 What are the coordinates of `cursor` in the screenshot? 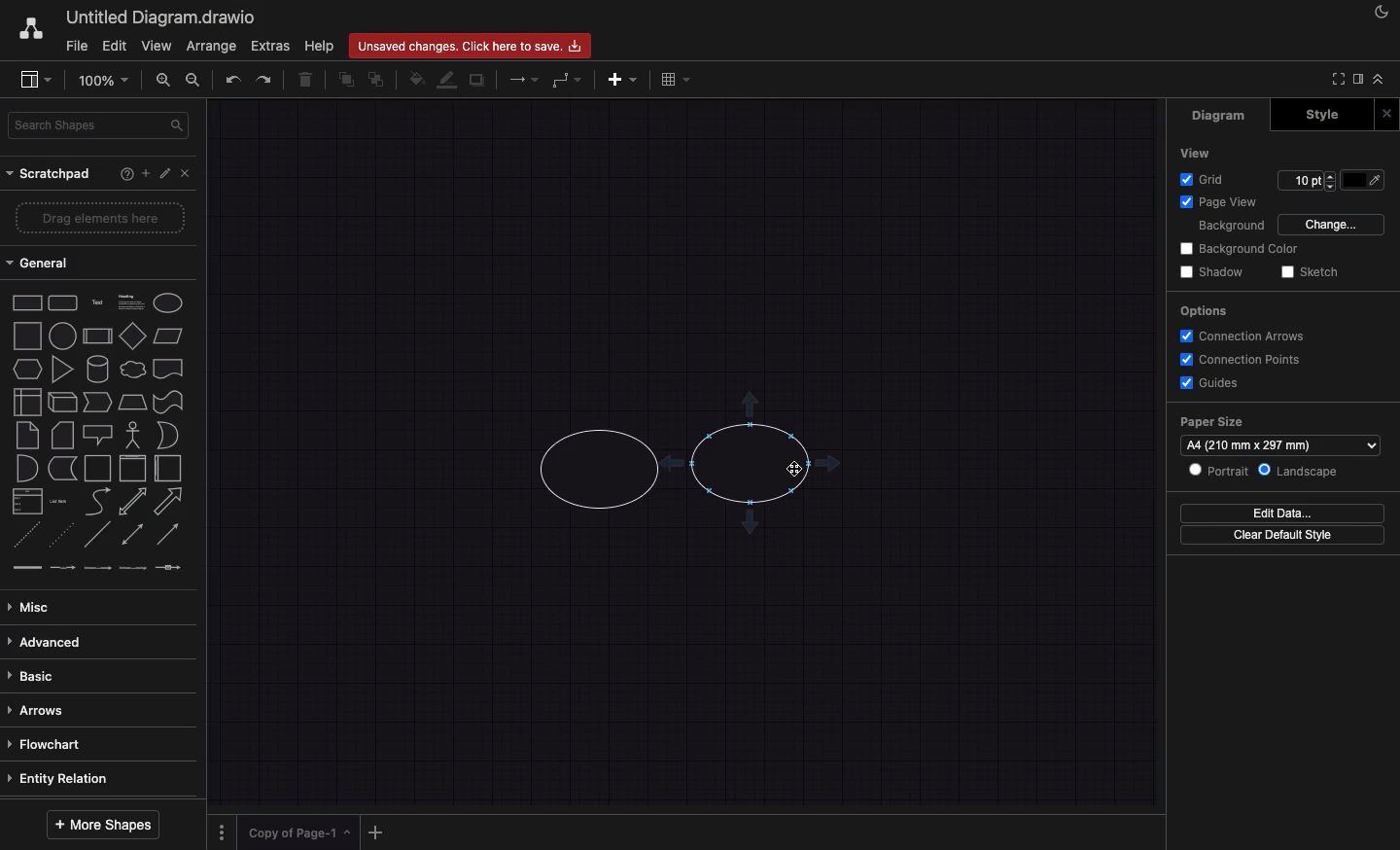 It's located at (793, 471).